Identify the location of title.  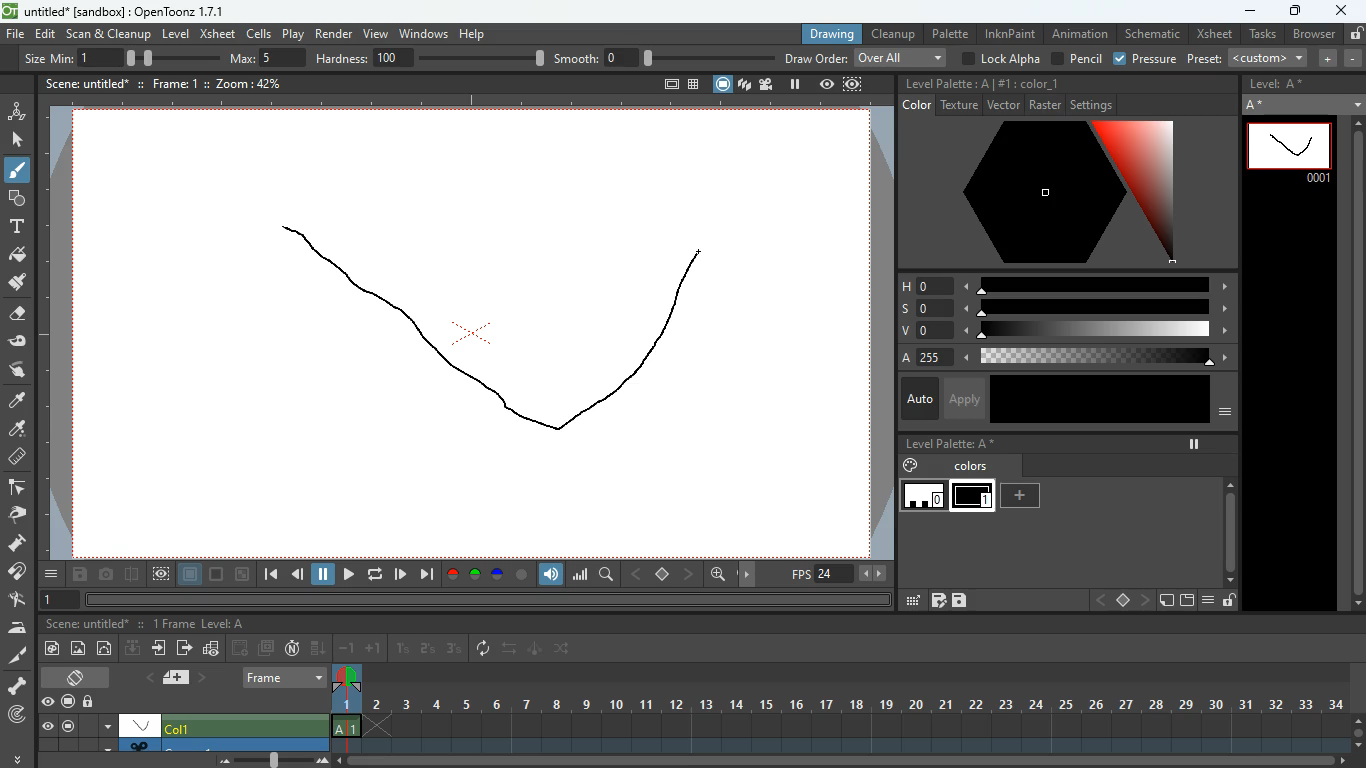
(84, 82).